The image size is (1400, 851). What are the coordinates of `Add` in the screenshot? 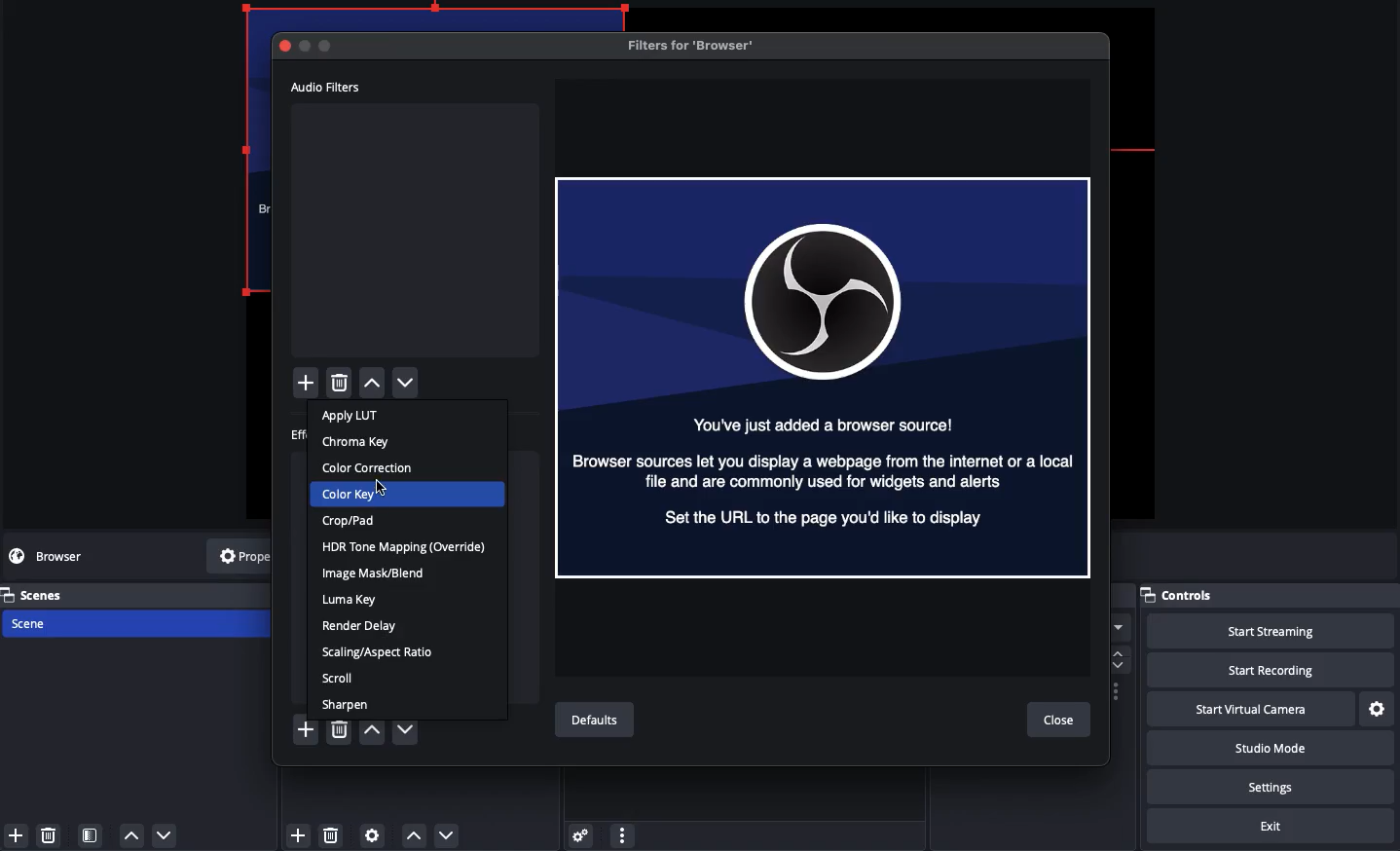 It's located at (16, 834).